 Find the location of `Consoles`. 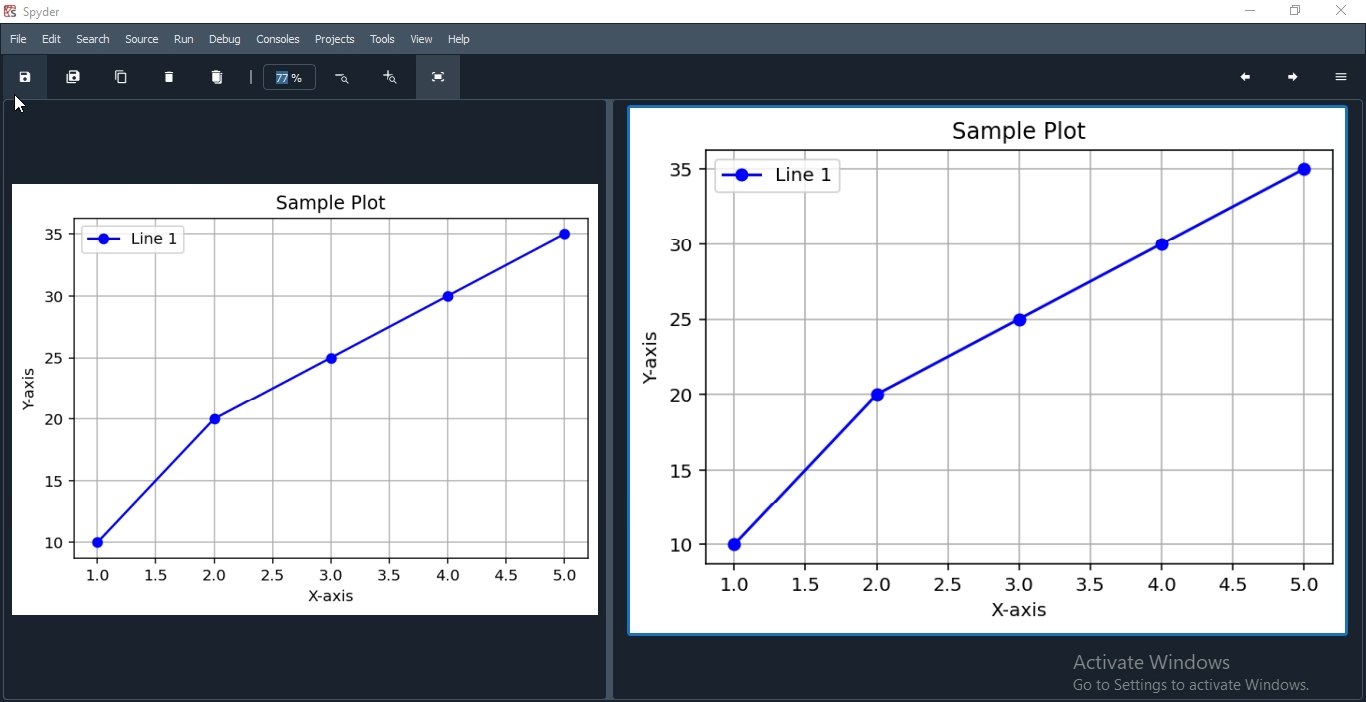

Consoles is located at coordinates (278, 39).